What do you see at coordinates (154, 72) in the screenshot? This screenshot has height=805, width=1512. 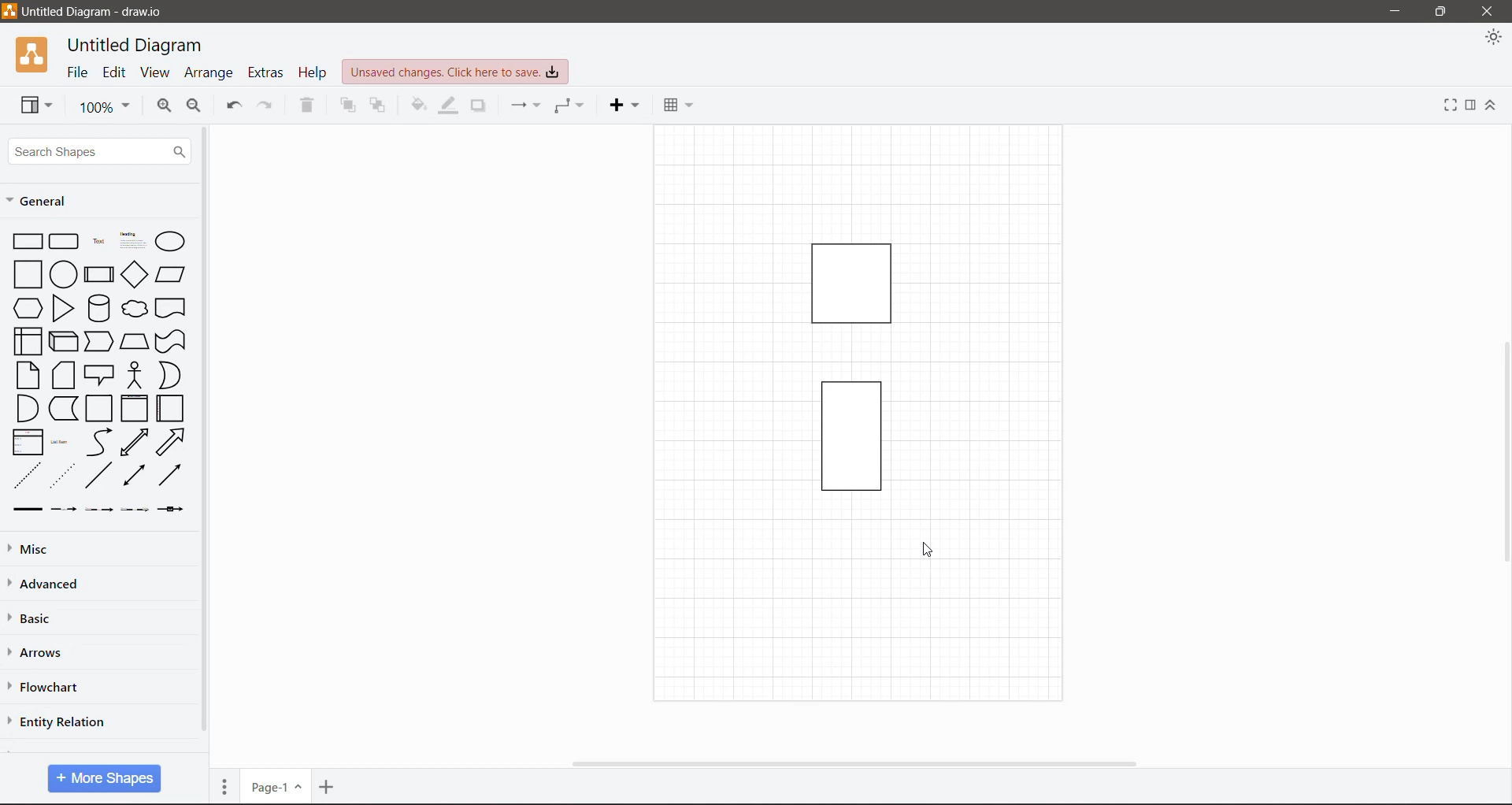 I see `View` at bounding box center [154, 72].